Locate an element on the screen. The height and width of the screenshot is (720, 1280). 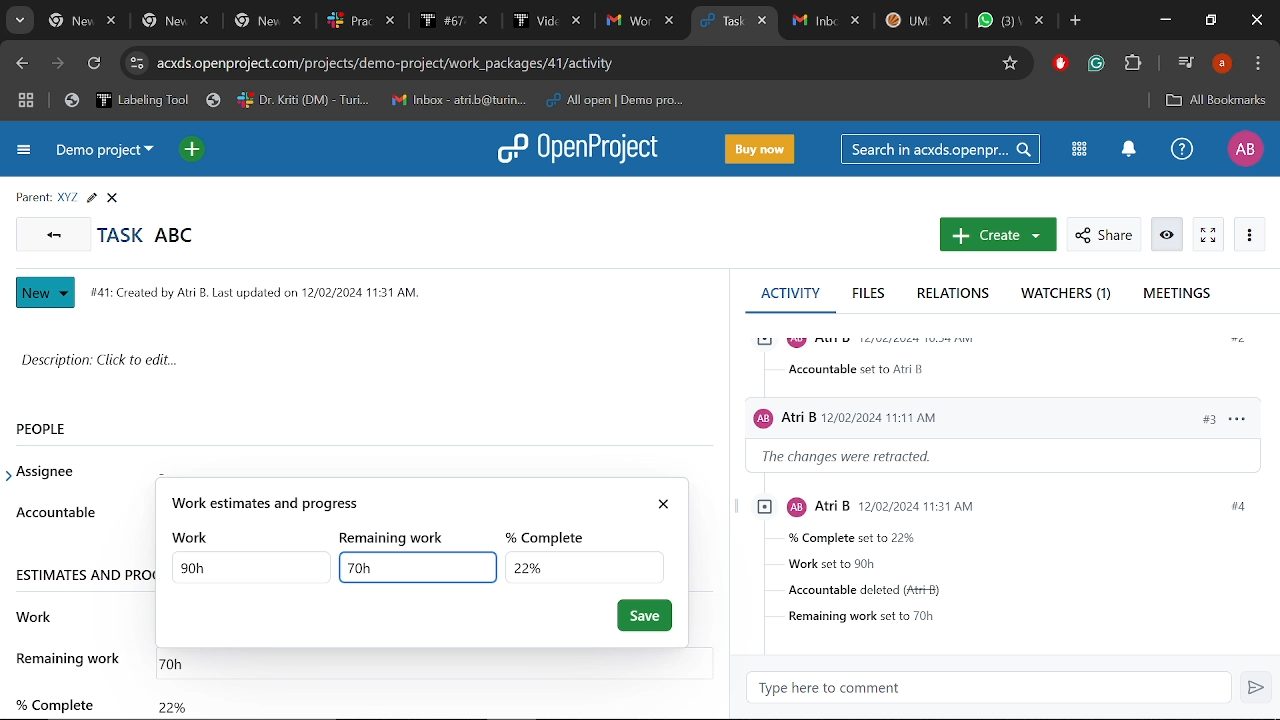
Remaining work is located at coordinates (419, 567).